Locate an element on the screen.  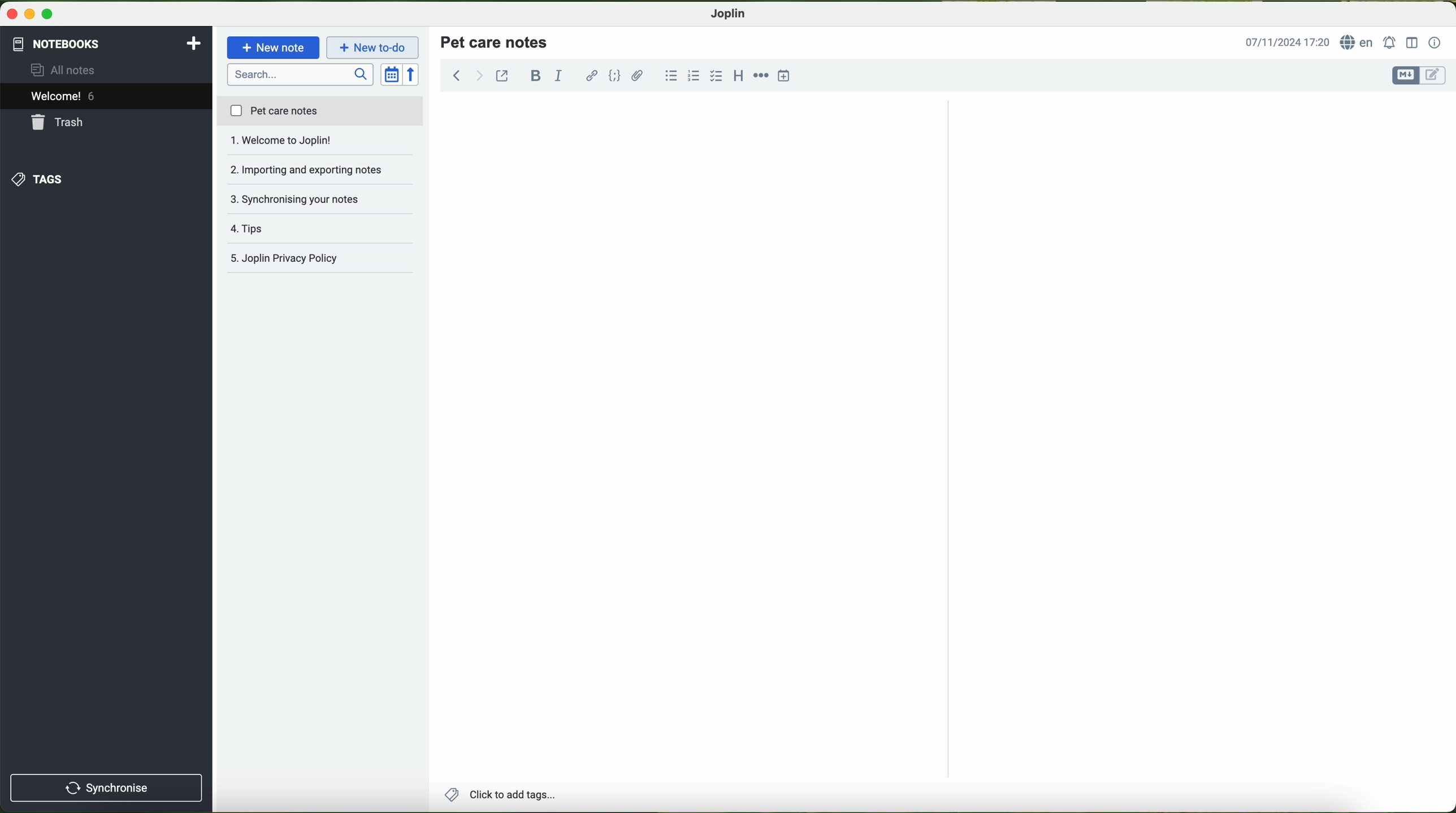
add tags is located at coordinates (500, 796).